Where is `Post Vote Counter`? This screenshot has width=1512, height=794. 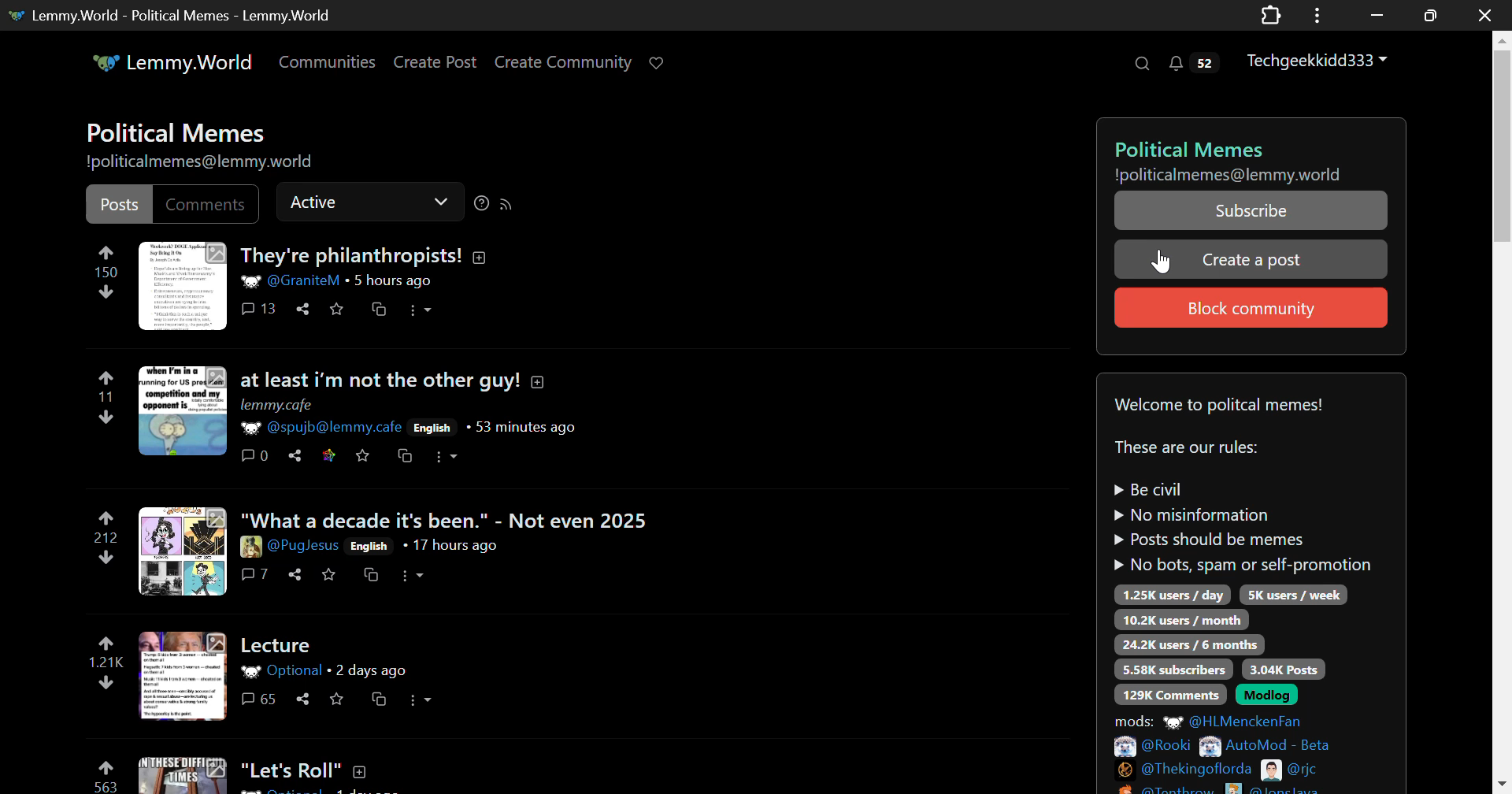
Post Vote Counter is located at coordinates (104, 666).